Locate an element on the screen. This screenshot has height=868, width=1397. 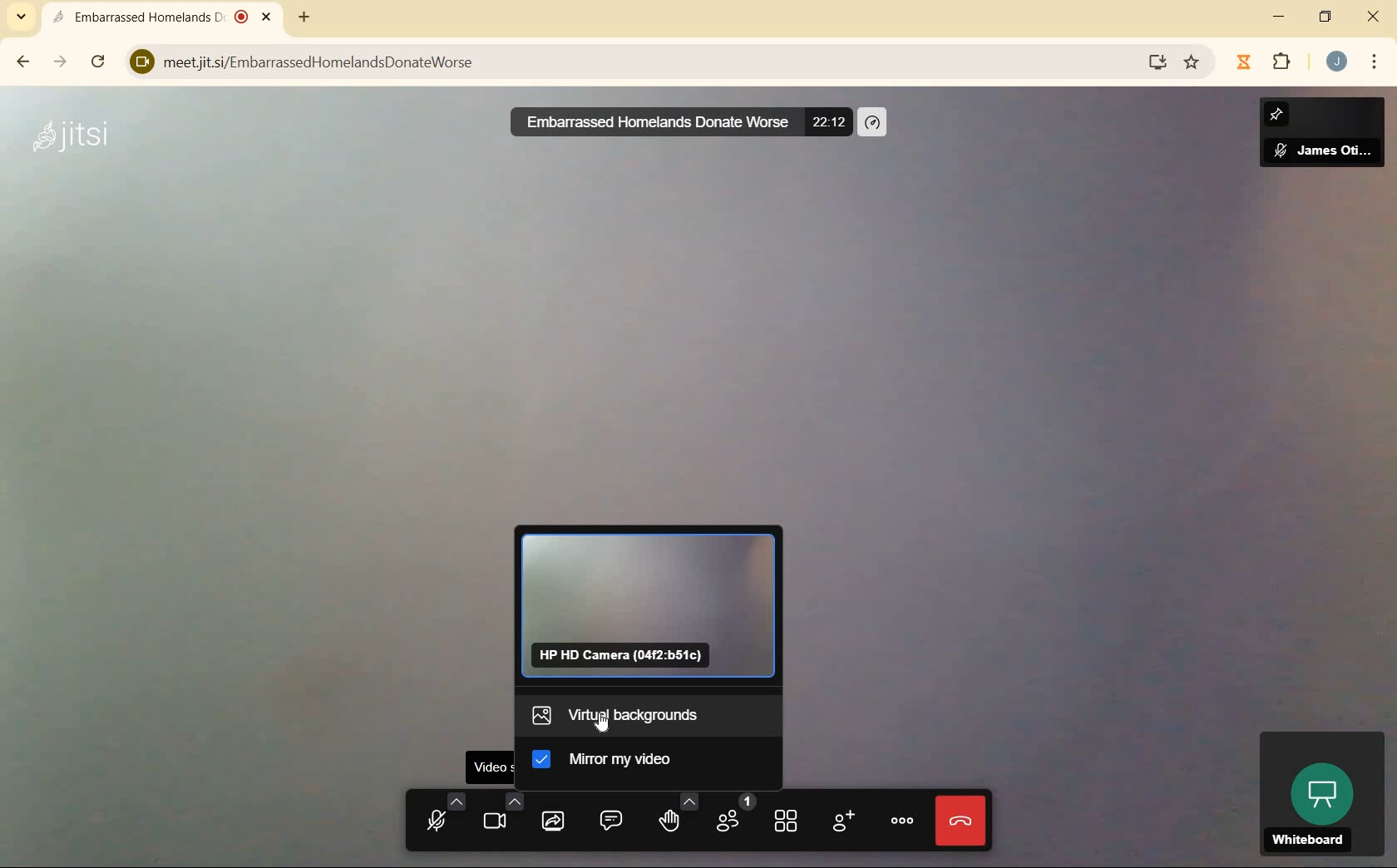
reload is located at coordinates (100, 62).